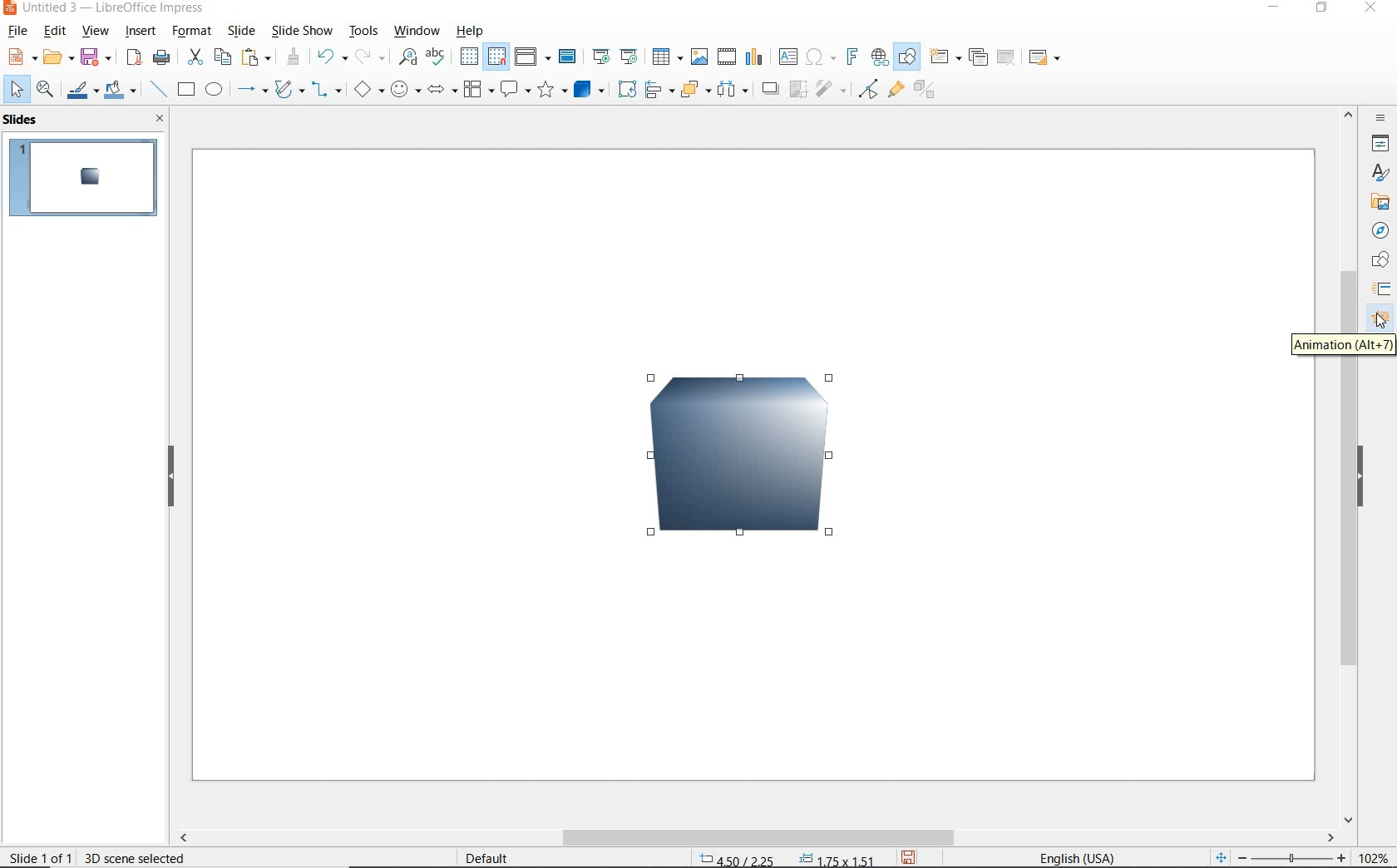 This screenshot has height=868, width=1397. I want to click on save, so click(99, 56).